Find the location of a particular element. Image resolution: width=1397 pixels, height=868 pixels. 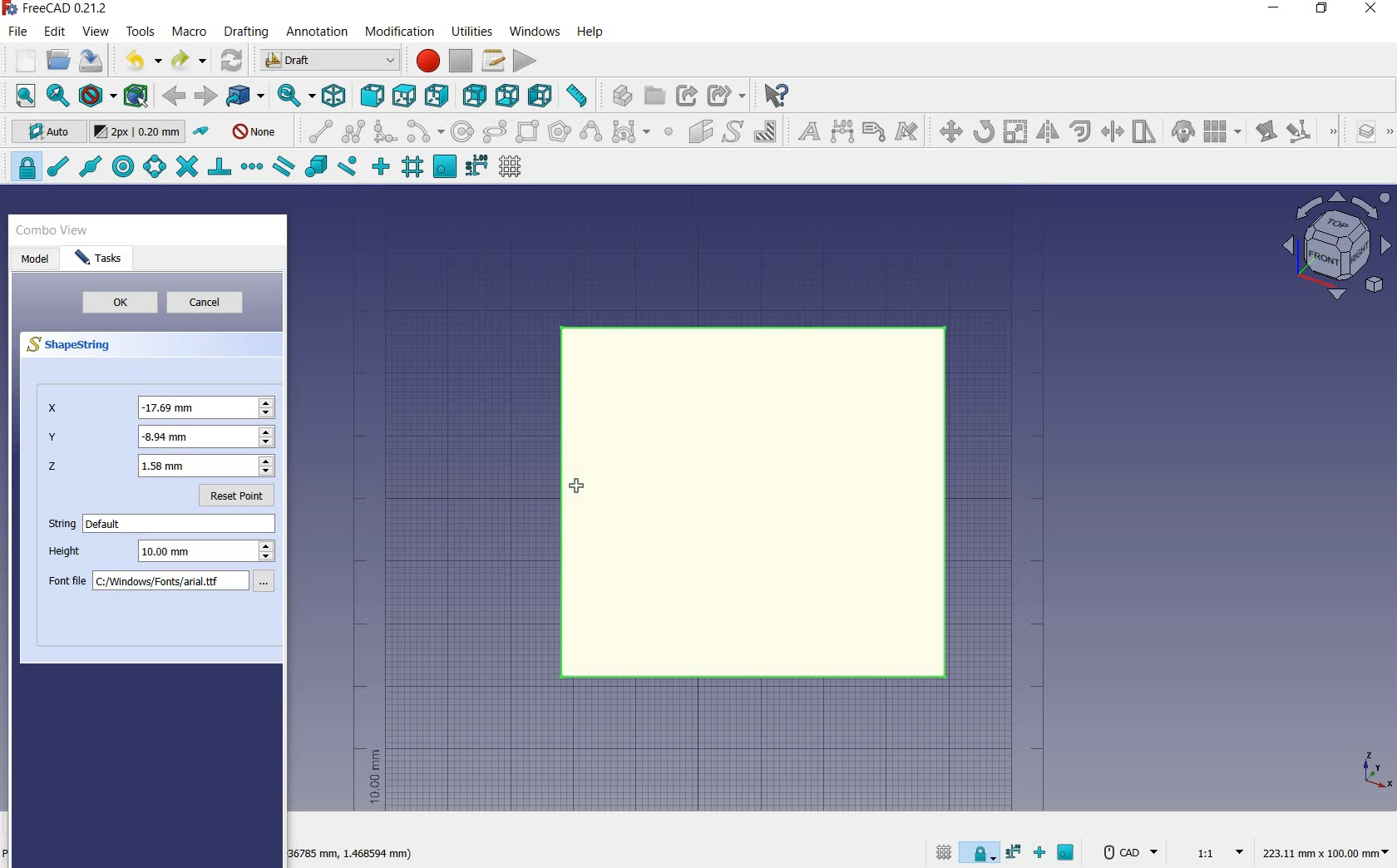

tools is located at coordinates (141, 31).